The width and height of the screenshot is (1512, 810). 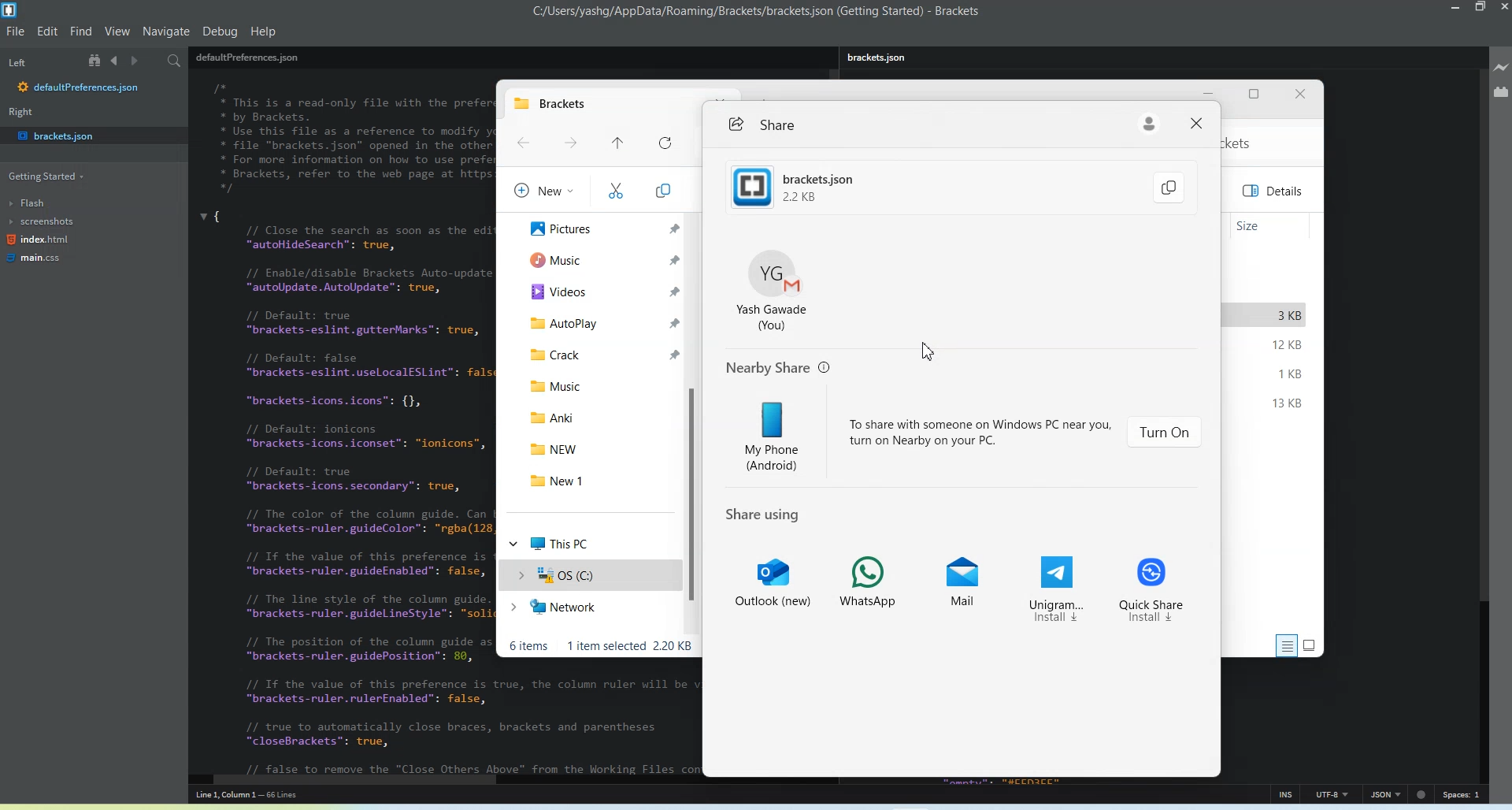 I want to click on Turn On, so click(x=1165, y=431).